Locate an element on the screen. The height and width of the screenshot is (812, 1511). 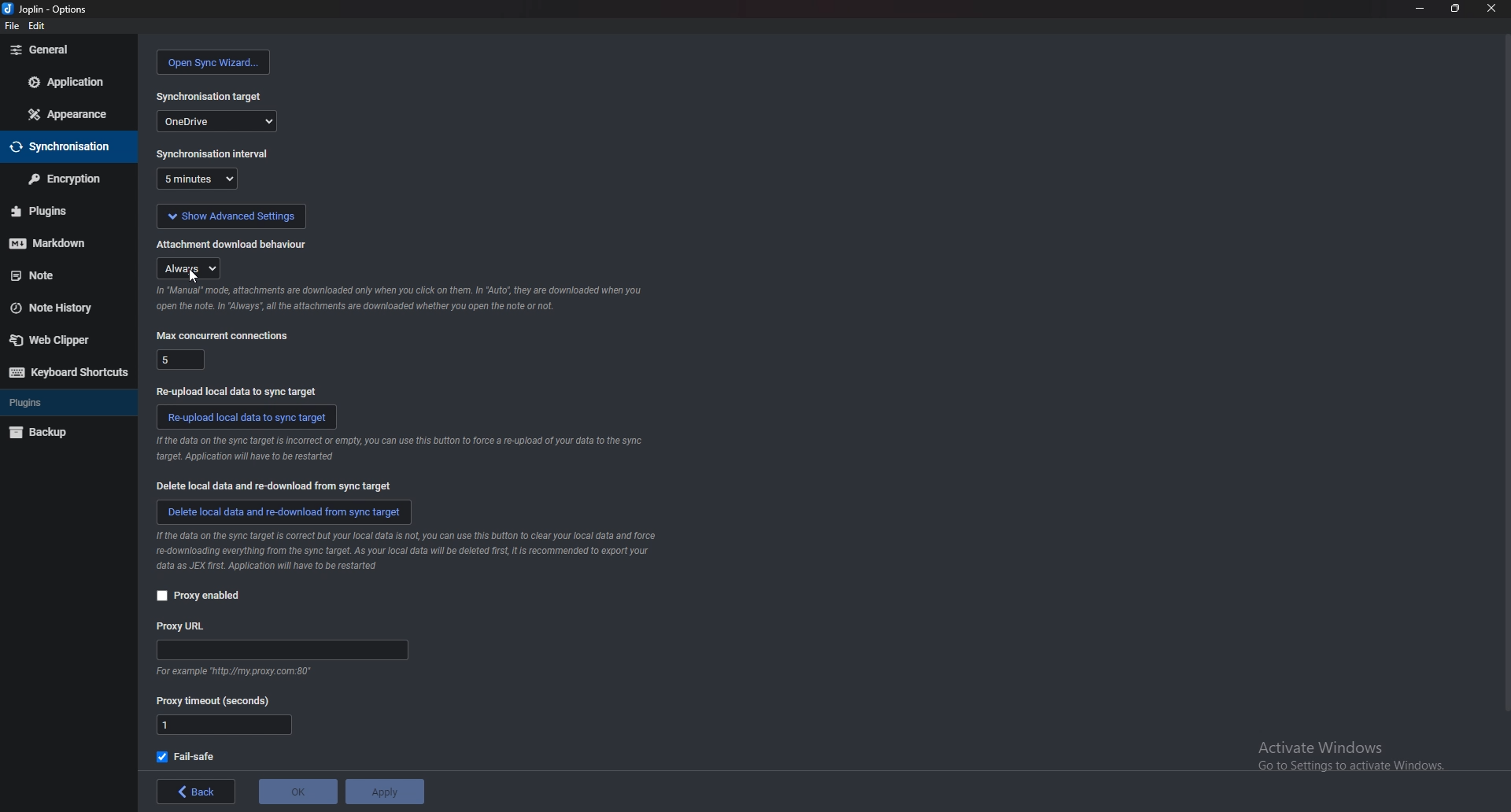
fail safe is located at coordinates (187, 757).